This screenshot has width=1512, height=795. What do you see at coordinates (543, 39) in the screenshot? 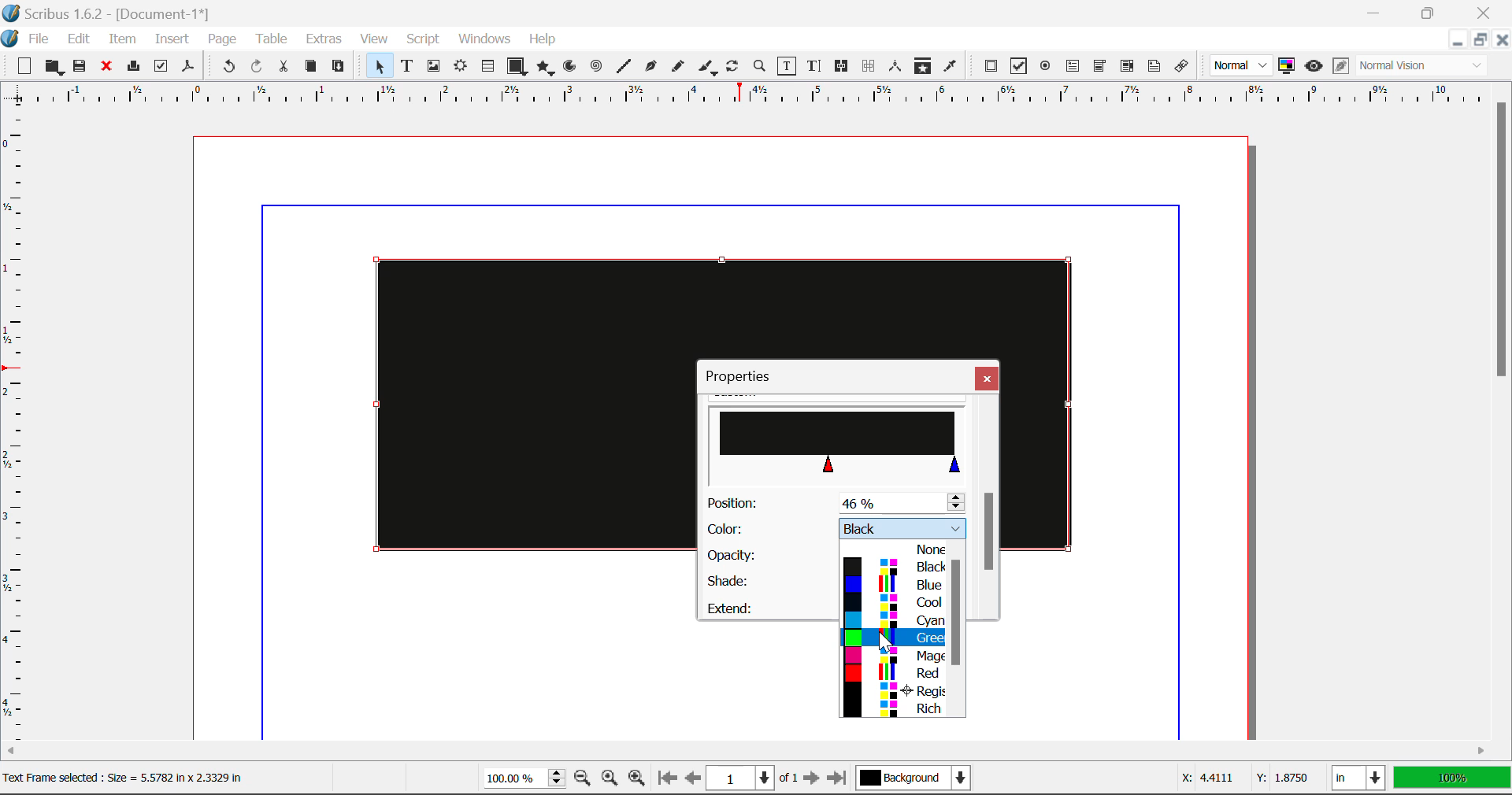
I see `Help` at bounding box center [543, 39].